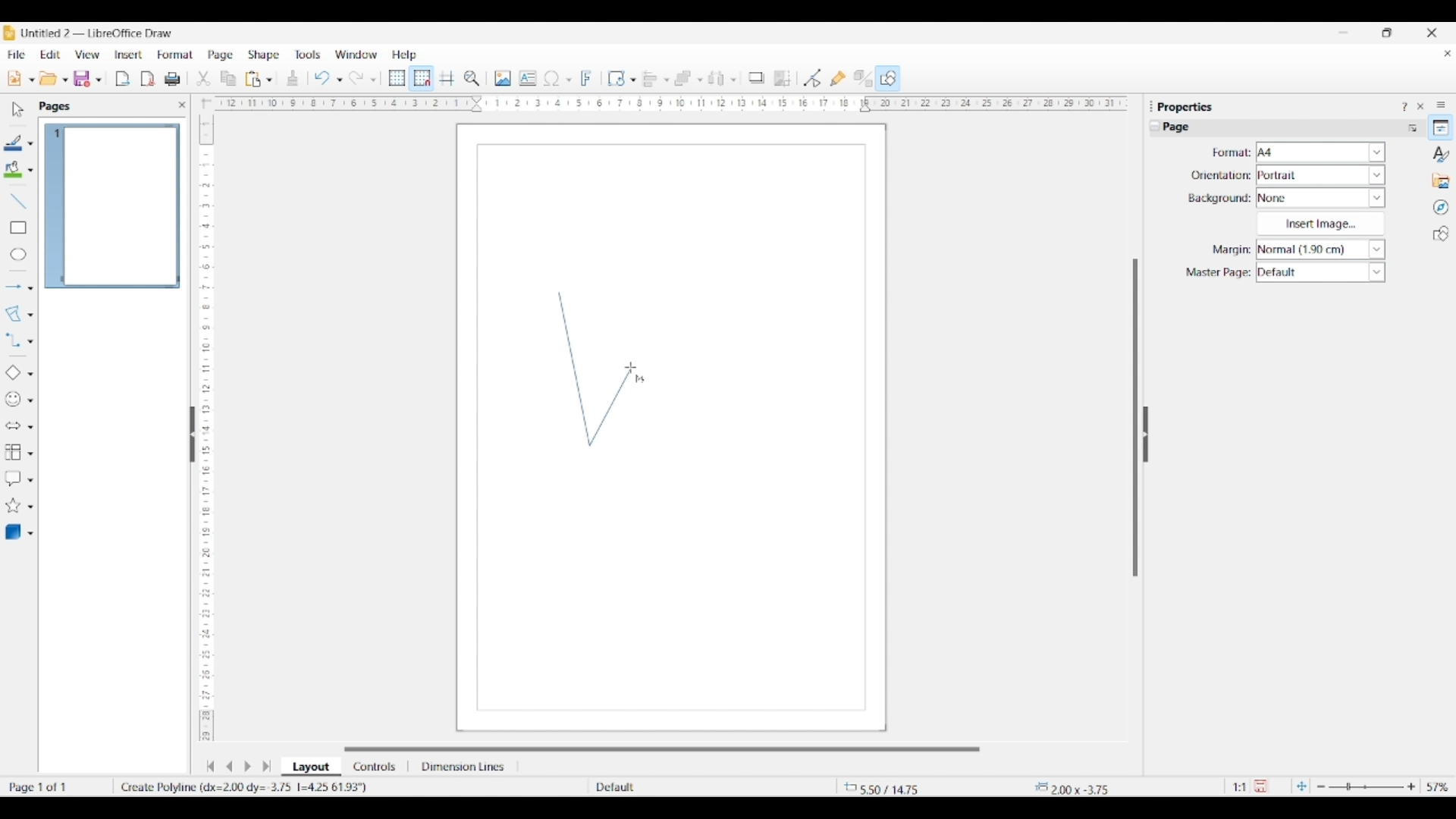 This screenshot has height=819, width=1456. I want to click on Insert, so click(129, 55).